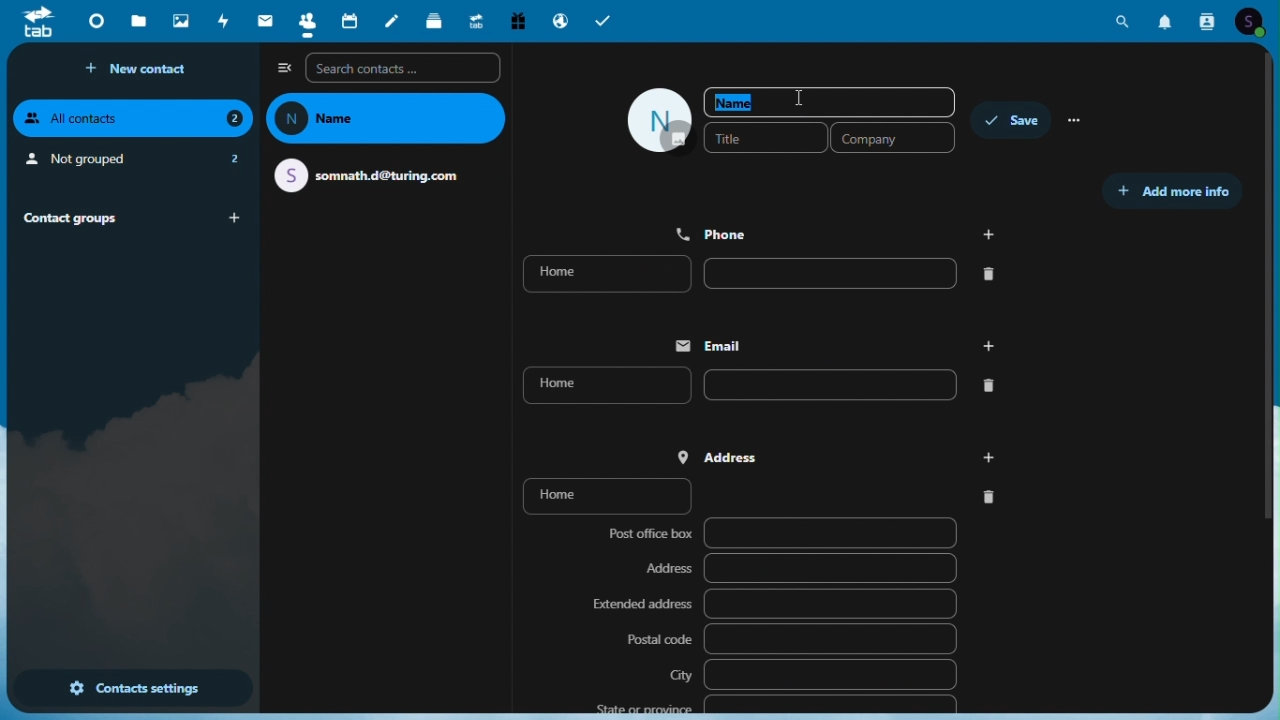 The height and width of the screenshot is (720, 1280). I want to click on Postal code, so click(790, 638).